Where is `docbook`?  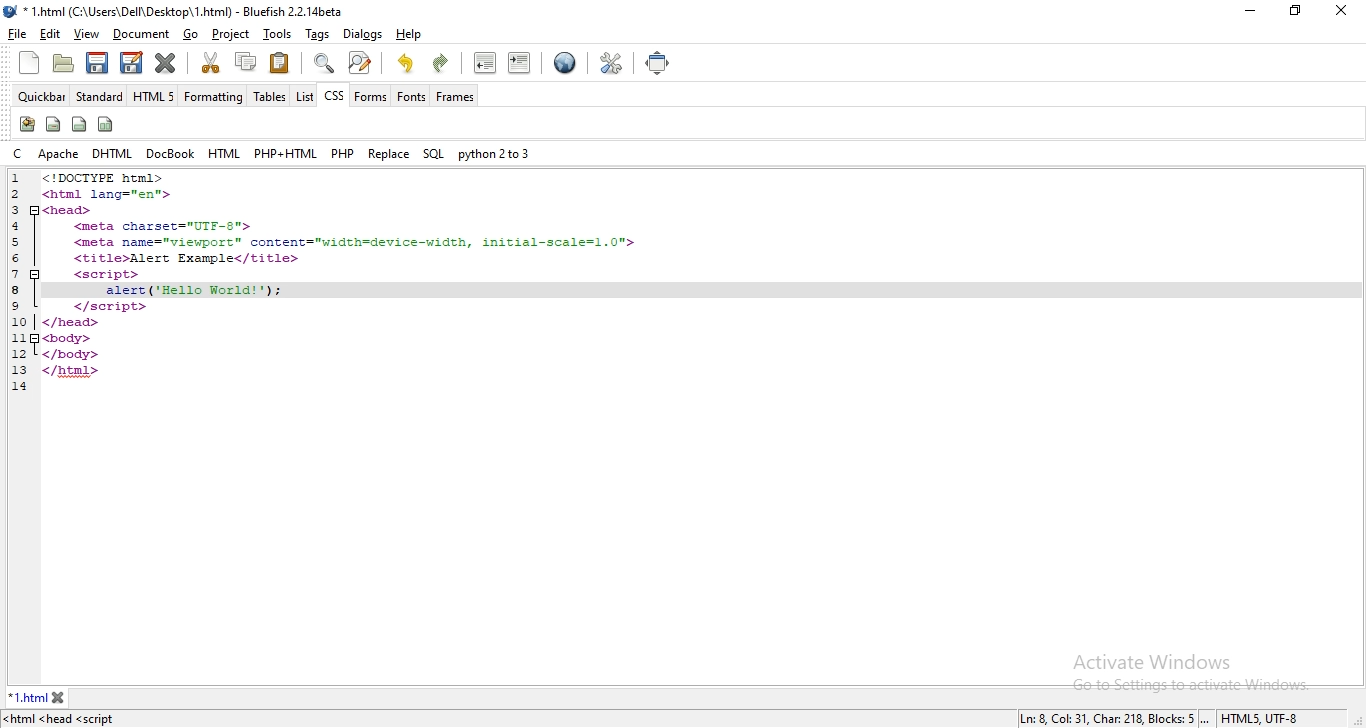
docbook is located at coordinates (169, 153).